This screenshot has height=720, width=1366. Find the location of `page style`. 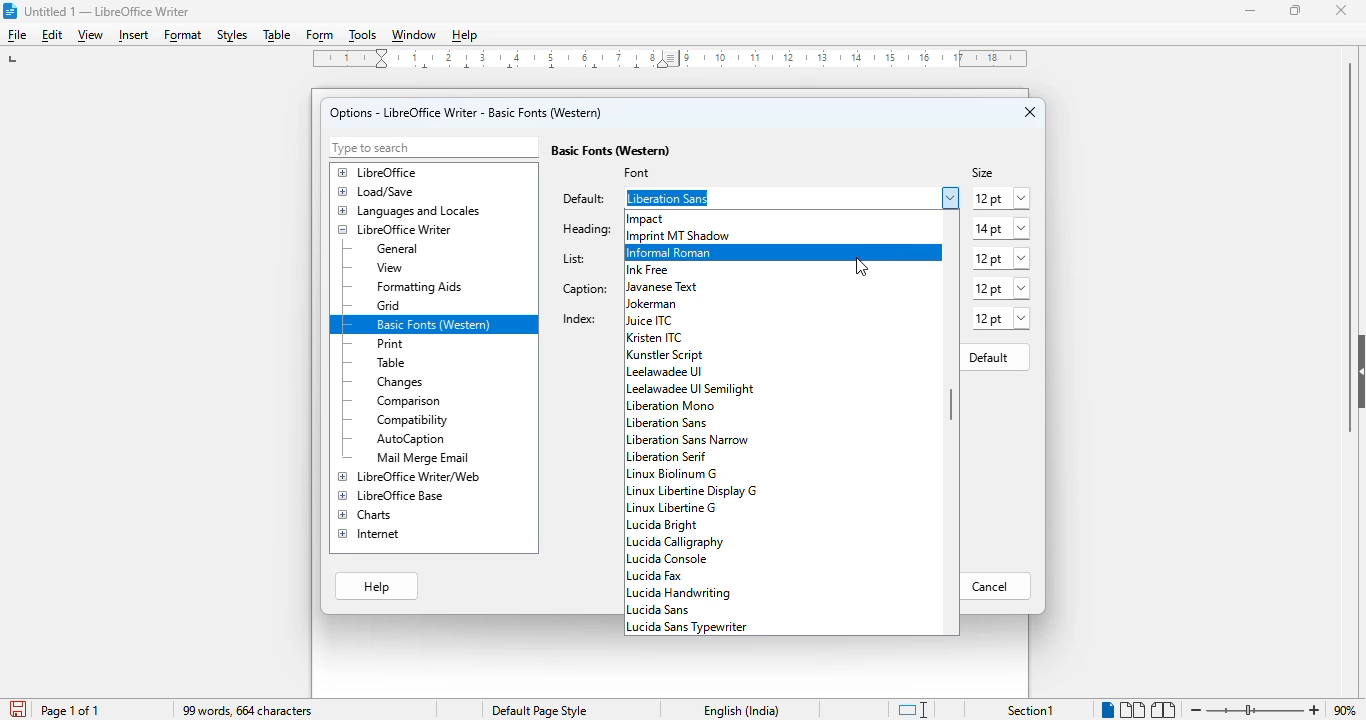

page style is located at coordinates (540, 711).